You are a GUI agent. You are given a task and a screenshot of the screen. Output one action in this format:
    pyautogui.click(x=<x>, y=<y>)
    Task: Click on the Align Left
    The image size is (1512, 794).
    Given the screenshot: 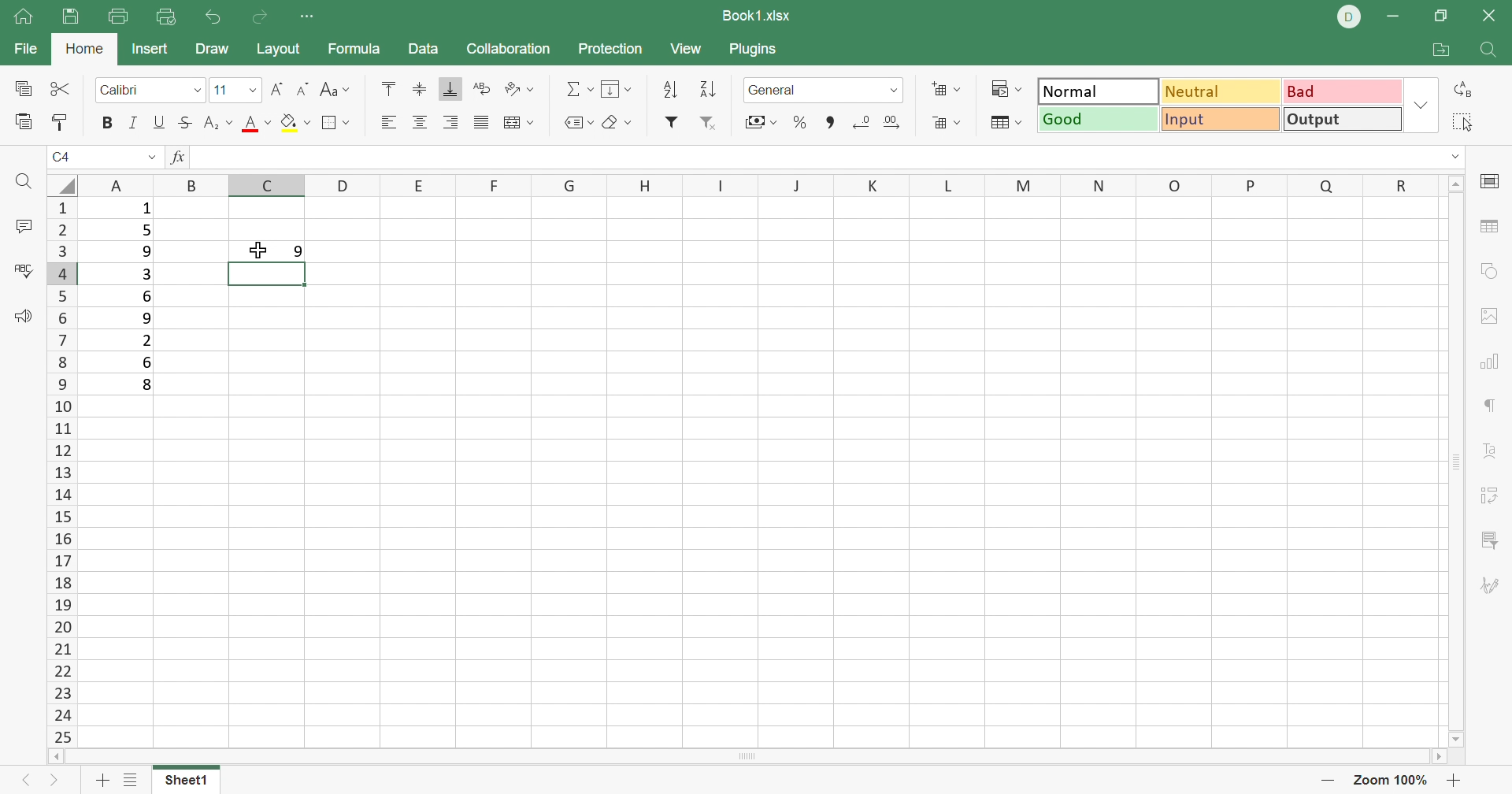 What is the action you would take?
    pyautogui.click(x=390, y=122)
    